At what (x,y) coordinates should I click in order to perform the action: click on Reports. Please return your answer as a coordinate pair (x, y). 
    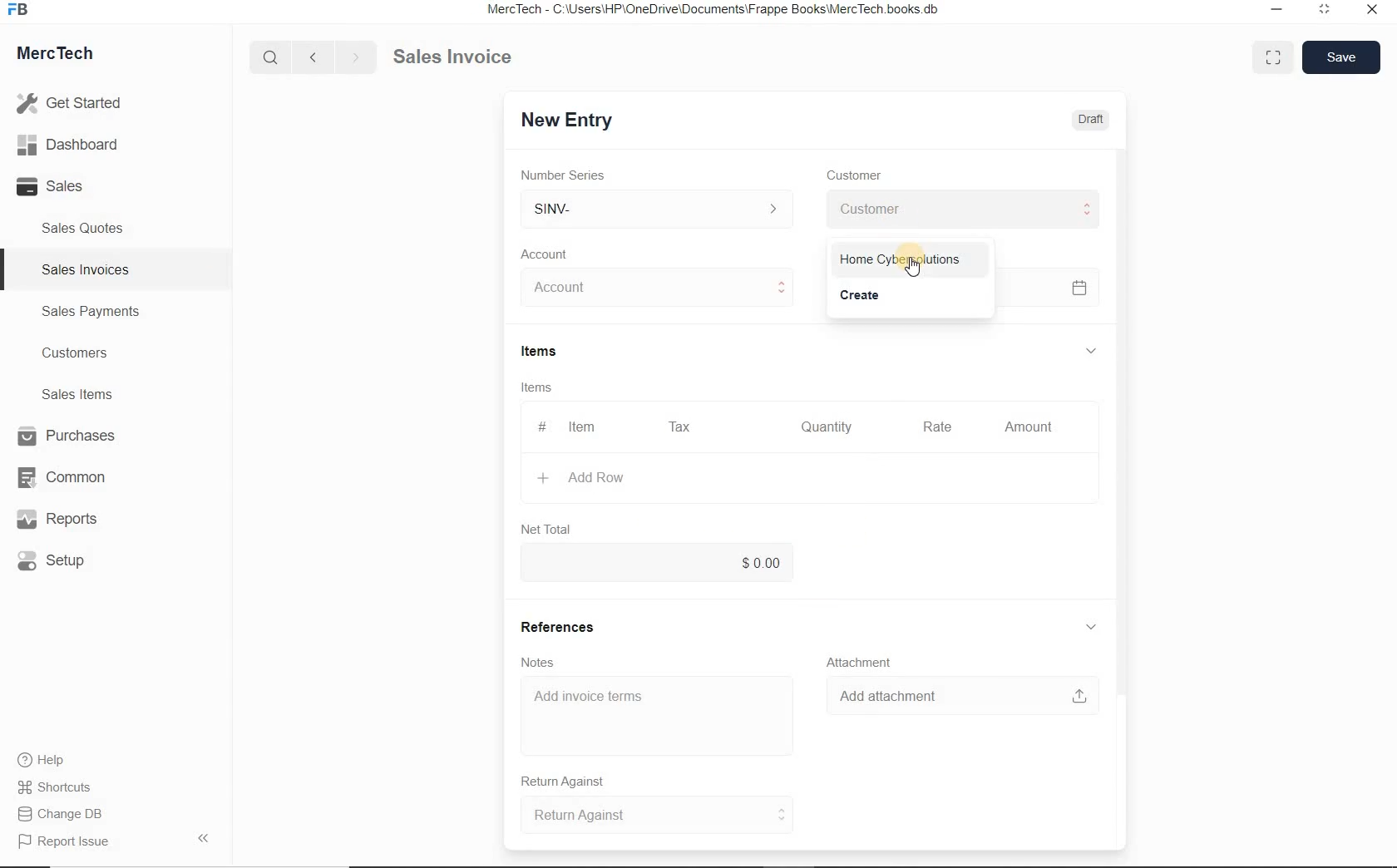
    Looking at the image, I should click on (70, 520).